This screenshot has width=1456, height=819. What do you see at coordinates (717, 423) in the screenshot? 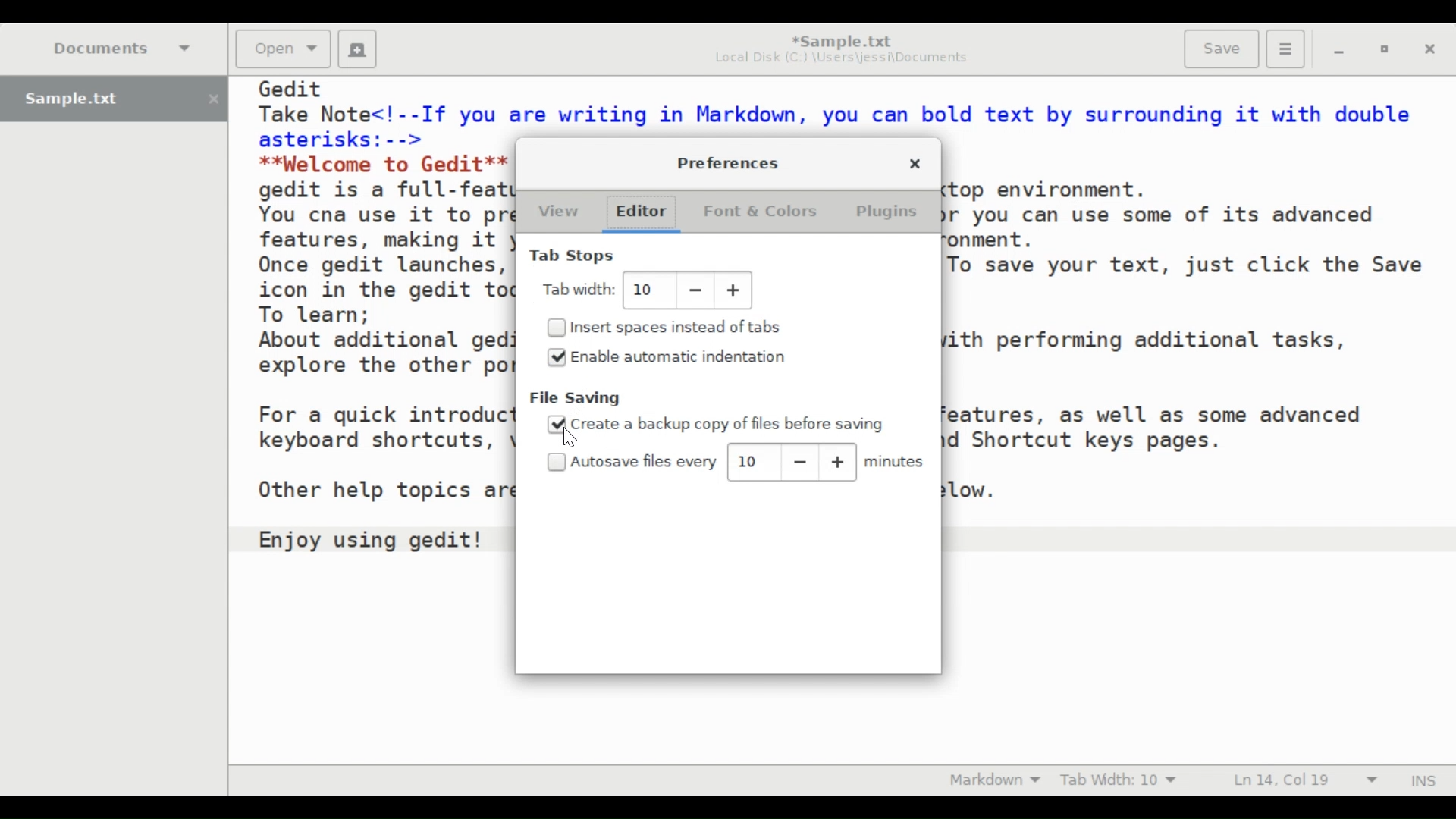
I see `(un)select Create a backup copy of files before saving` at bounding box center [717, 423].